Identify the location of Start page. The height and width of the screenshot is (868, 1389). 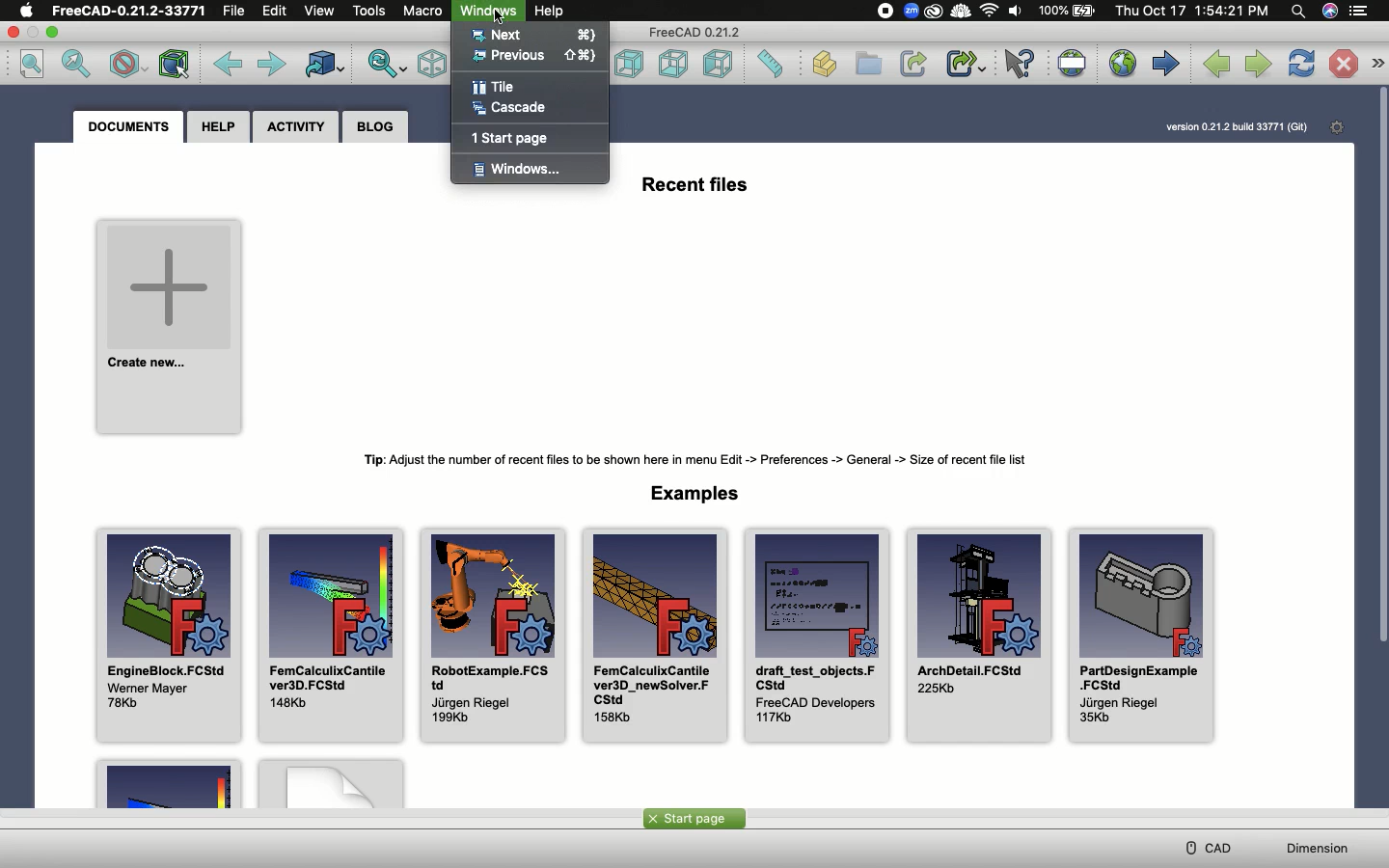
(1165, 62).